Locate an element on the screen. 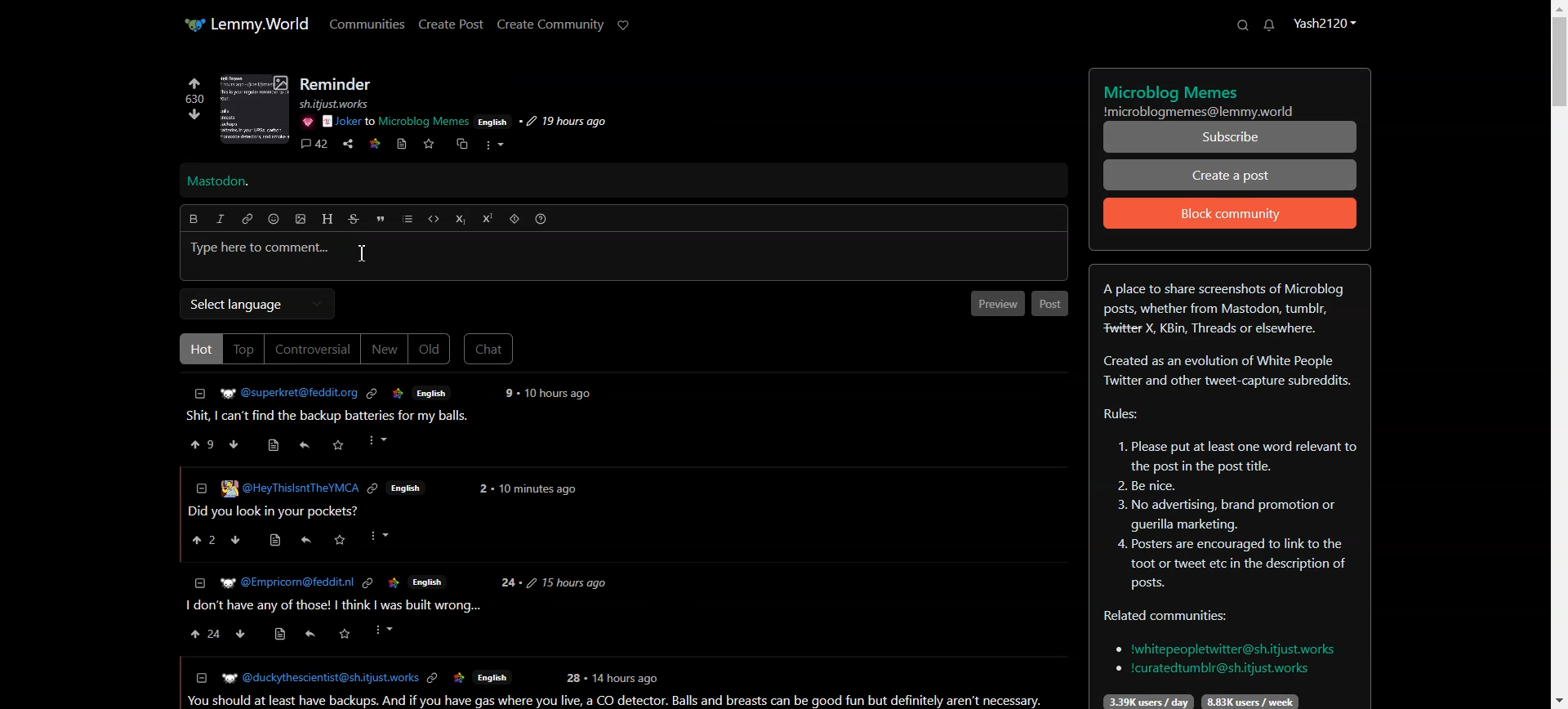 This screenshot has width=1568, height=709.  is located at coordinates (393, 582).